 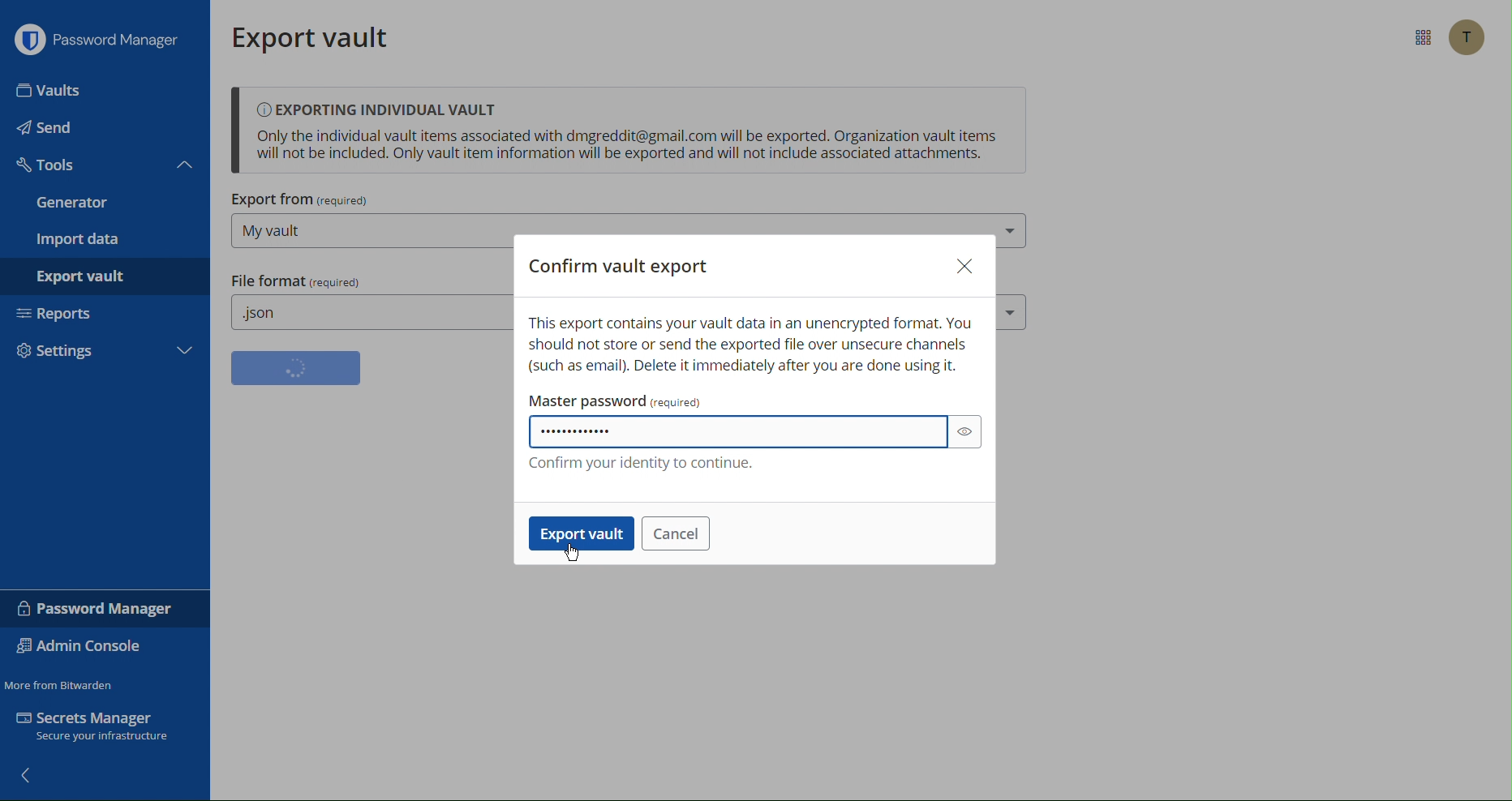 What do you see at coordinates (301, 201) in the screenshot?
I see `Export From` at bounding box center [301, 201].